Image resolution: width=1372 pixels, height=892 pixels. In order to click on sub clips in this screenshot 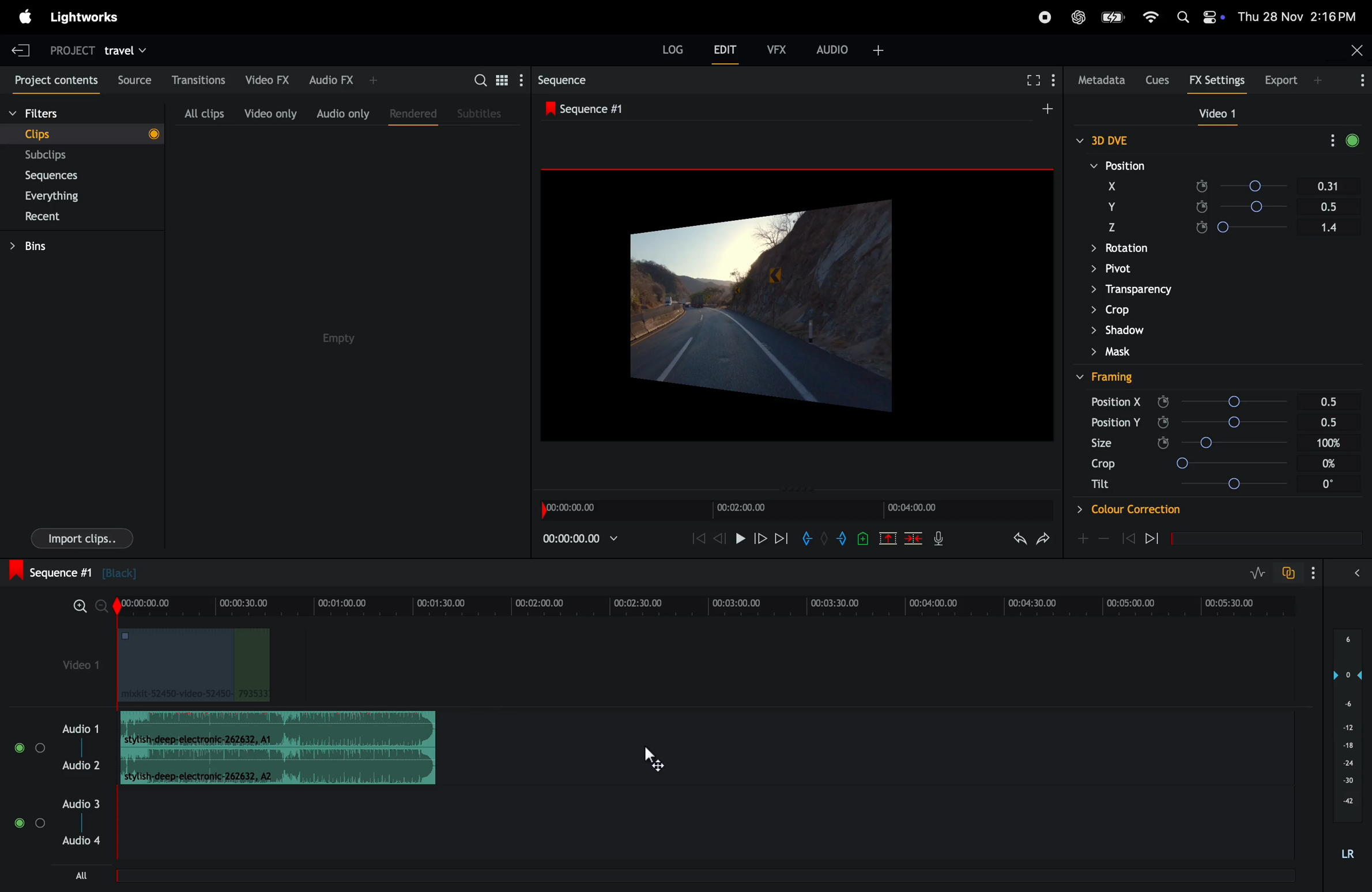, I will do `click(62, 156)`.